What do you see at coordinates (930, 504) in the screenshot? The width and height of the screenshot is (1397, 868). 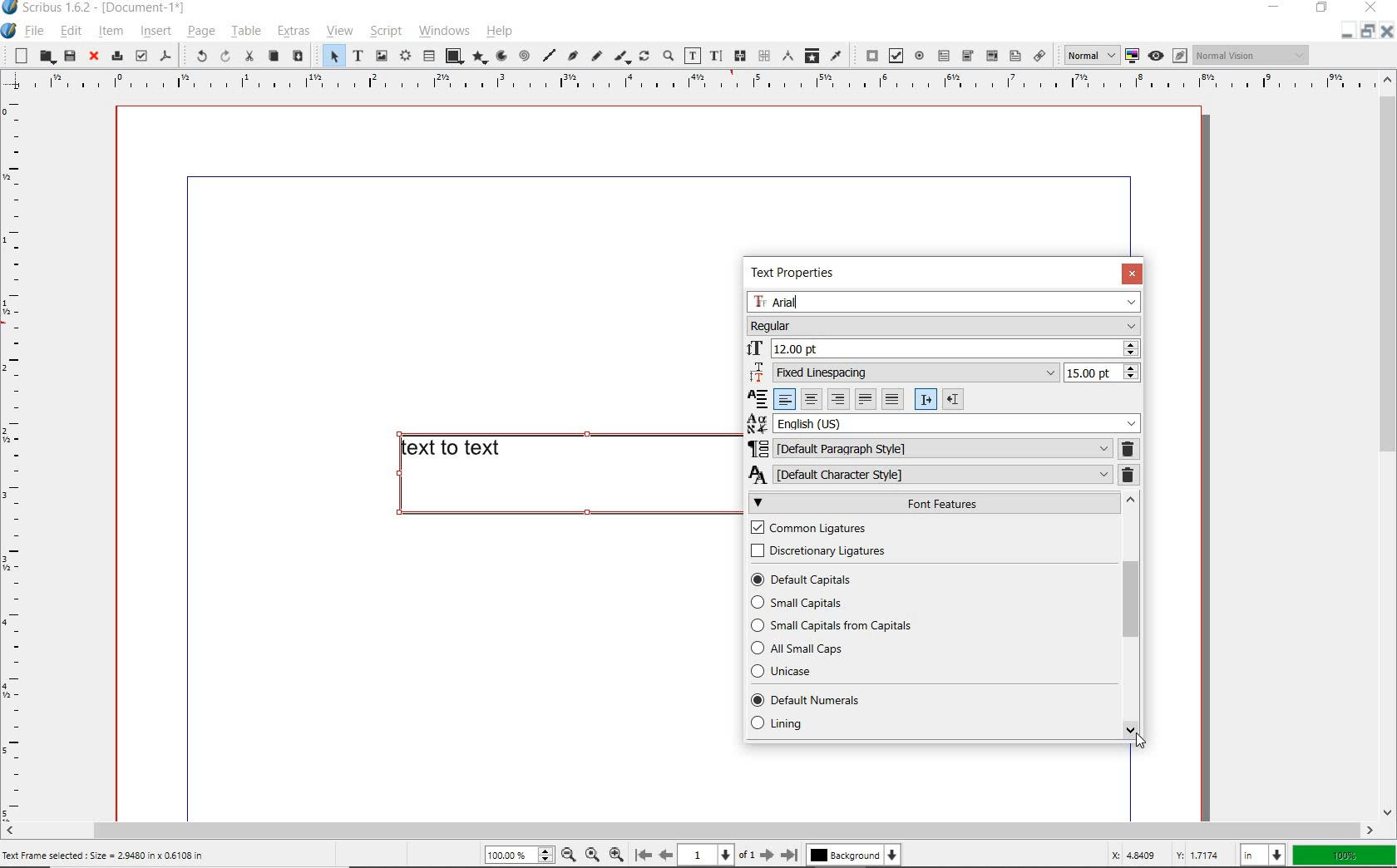 I see `FONT FEATURES` at bounding box center [930, 504].